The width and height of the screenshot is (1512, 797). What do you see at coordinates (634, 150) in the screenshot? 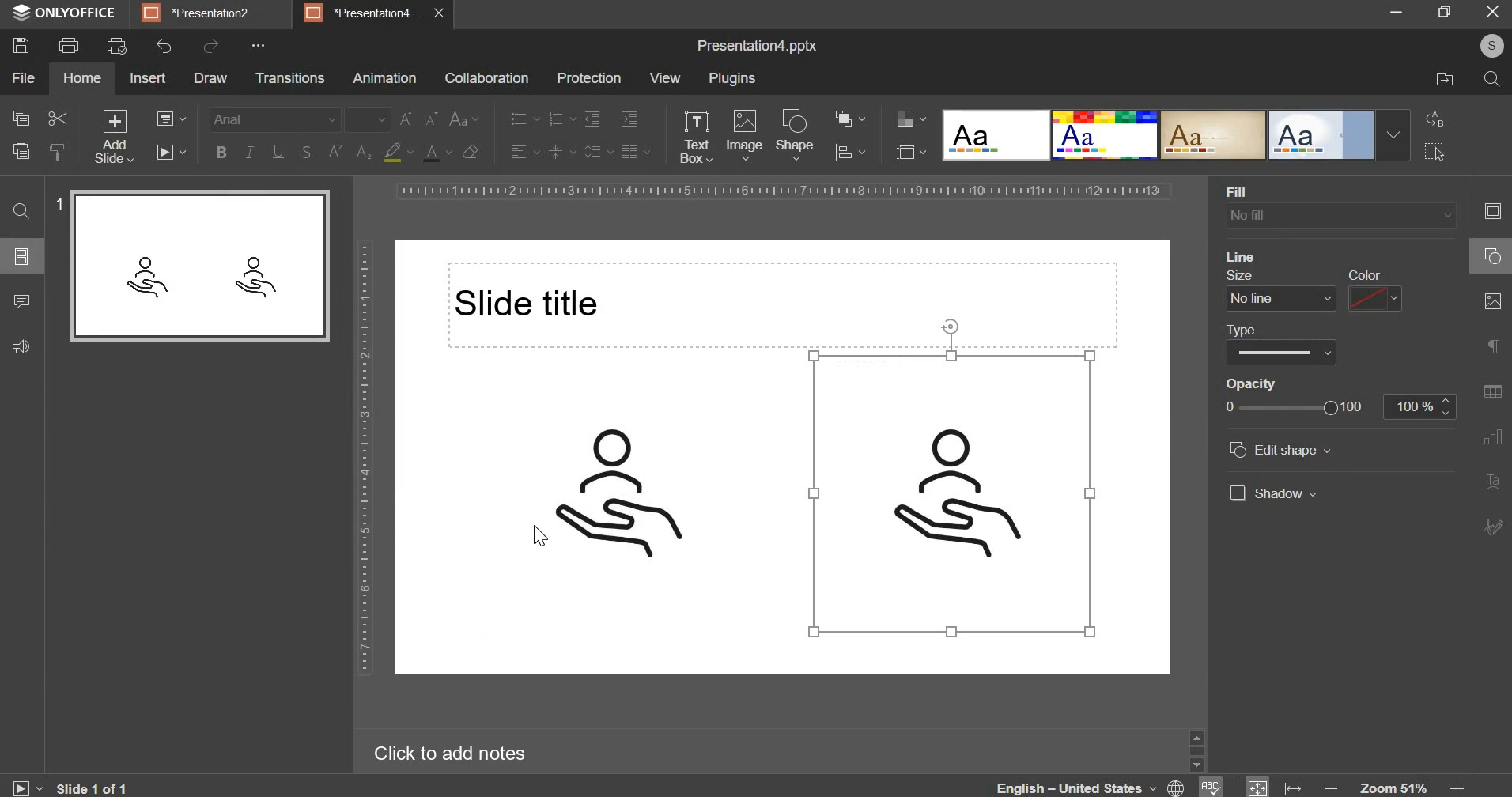
I see `paragraph setting` at bounding box center [634, 150].